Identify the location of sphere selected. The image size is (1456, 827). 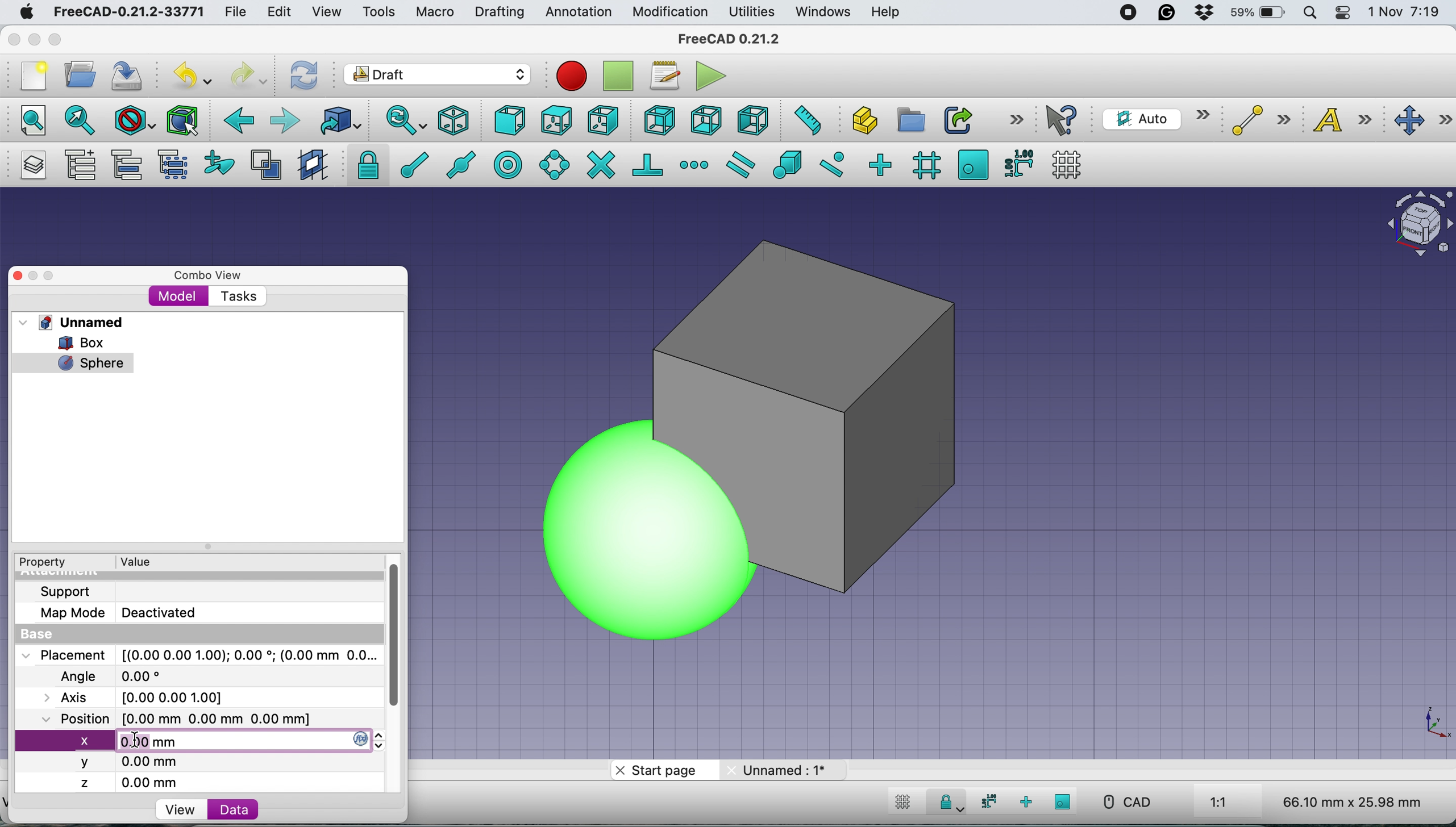
(73, 360).